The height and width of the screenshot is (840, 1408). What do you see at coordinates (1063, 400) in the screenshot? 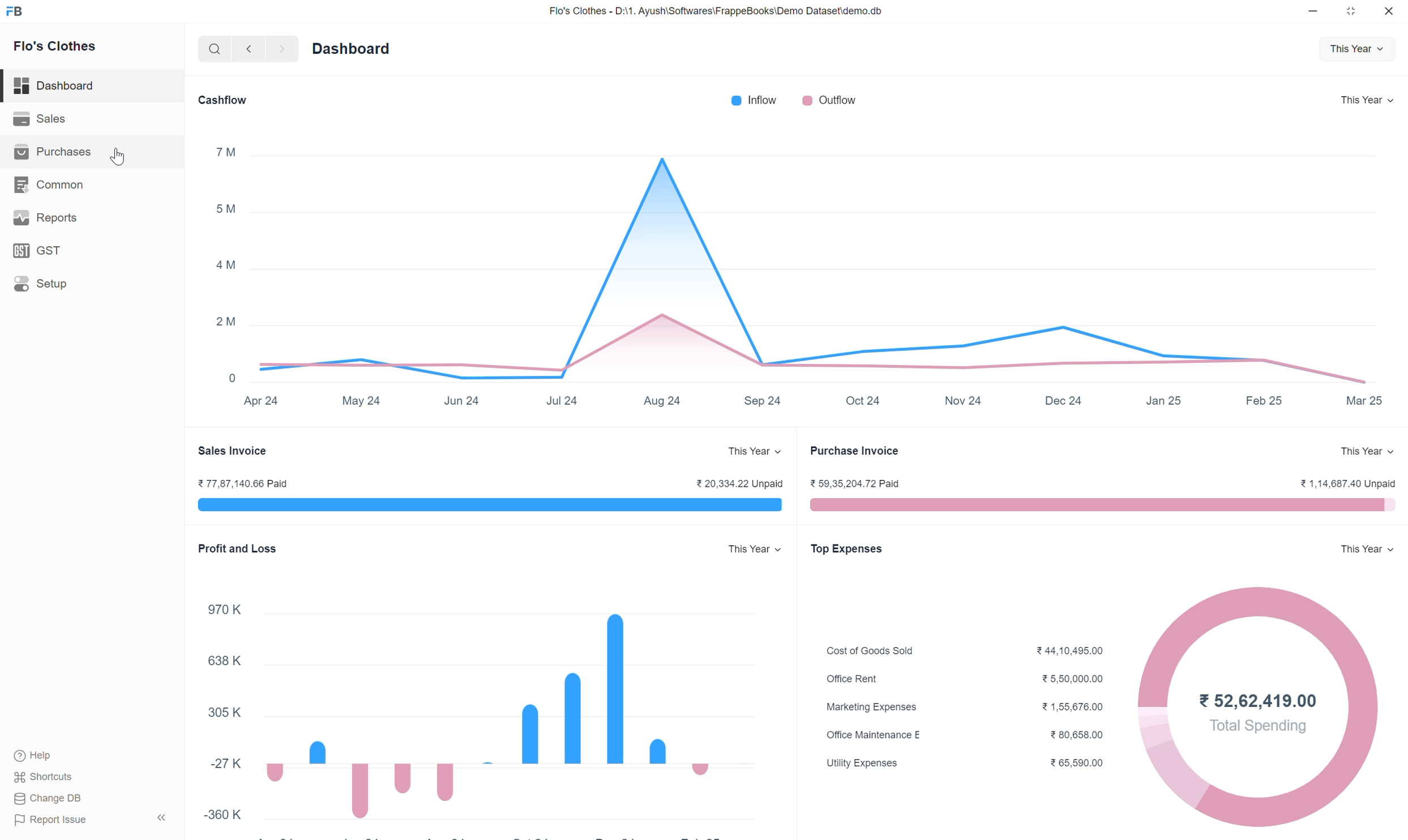
I see `Dec 24` at bounding box center [1063, 400].